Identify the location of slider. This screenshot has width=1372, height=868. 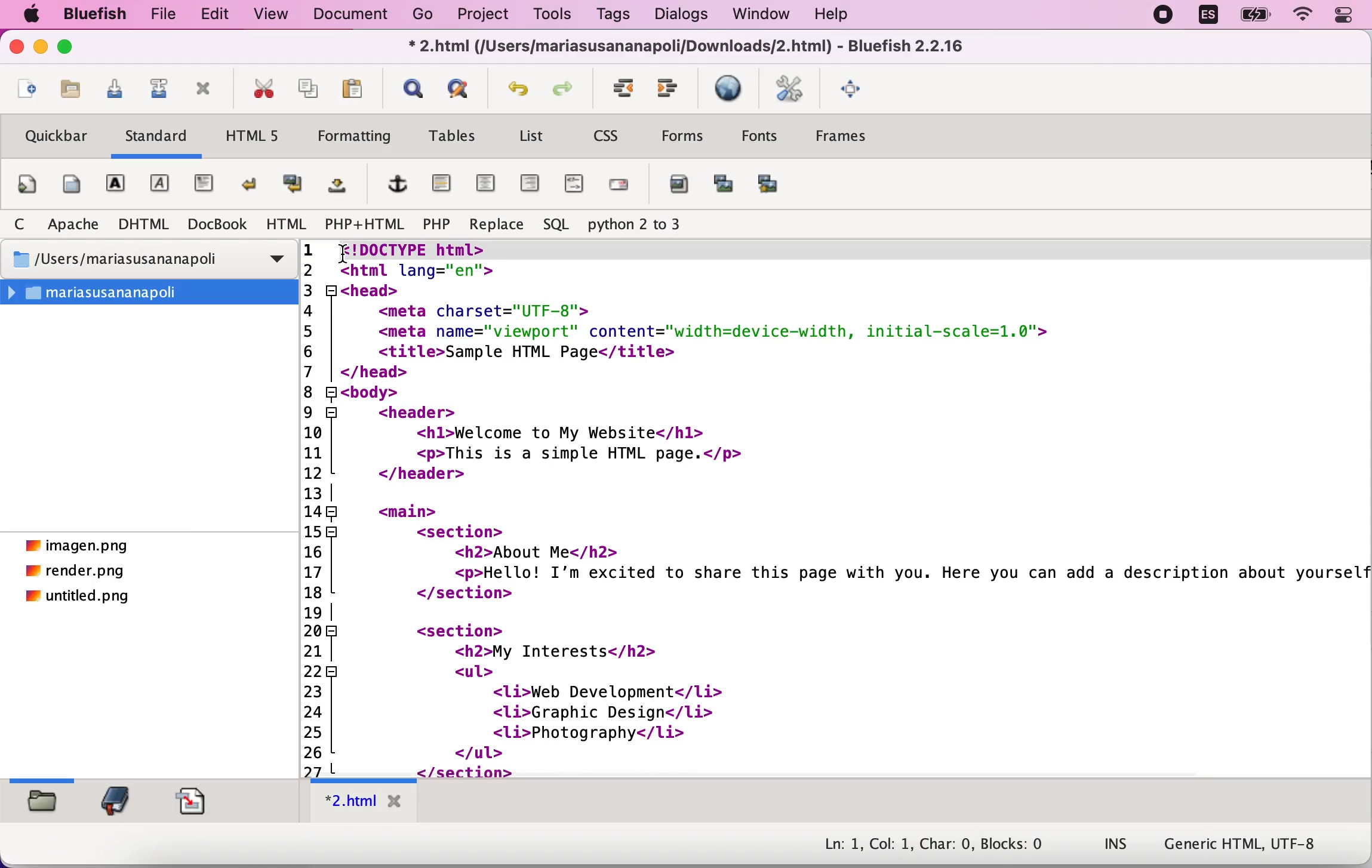
(45, 778).